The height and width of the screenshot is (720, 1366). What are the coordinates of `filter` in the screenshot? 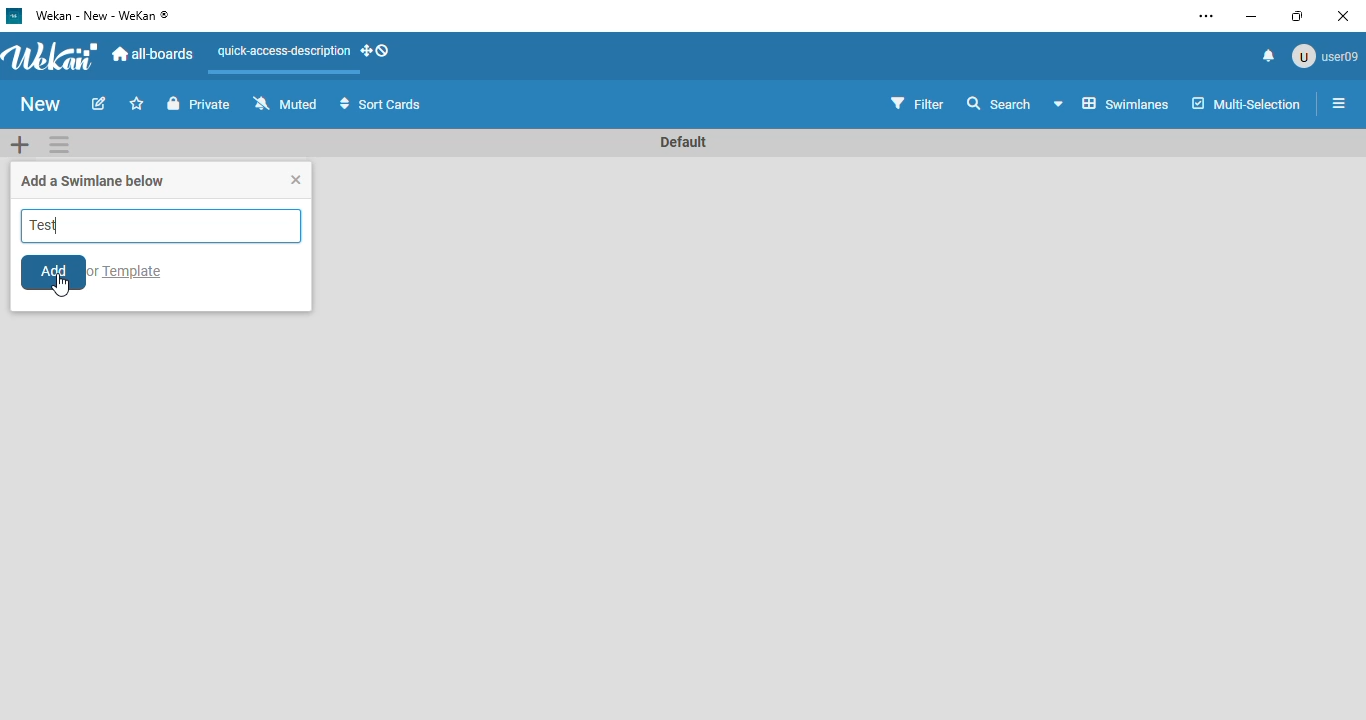 It's located at (917, 102).